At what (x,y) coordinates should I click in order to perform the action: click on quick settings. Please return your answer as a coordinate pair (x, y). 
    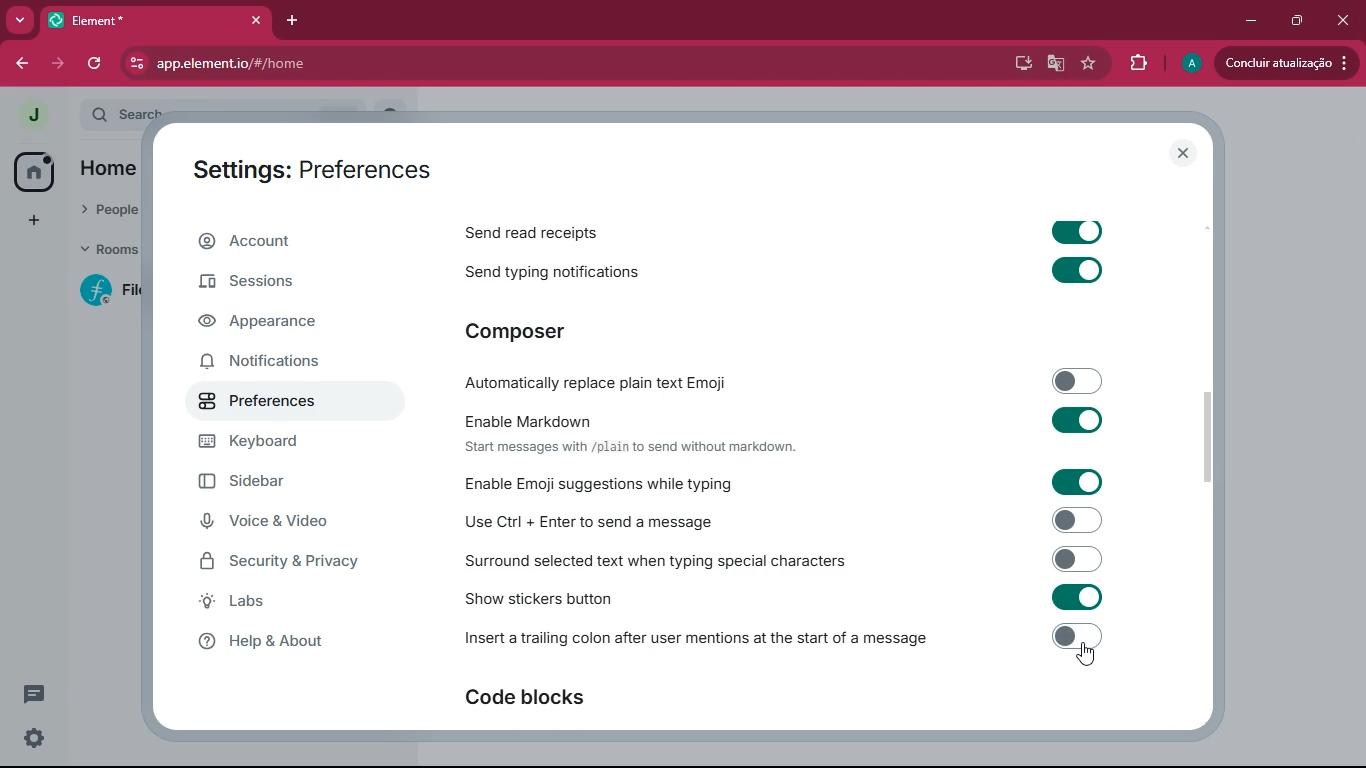
    Looking at the image, I should click on (35, 737).